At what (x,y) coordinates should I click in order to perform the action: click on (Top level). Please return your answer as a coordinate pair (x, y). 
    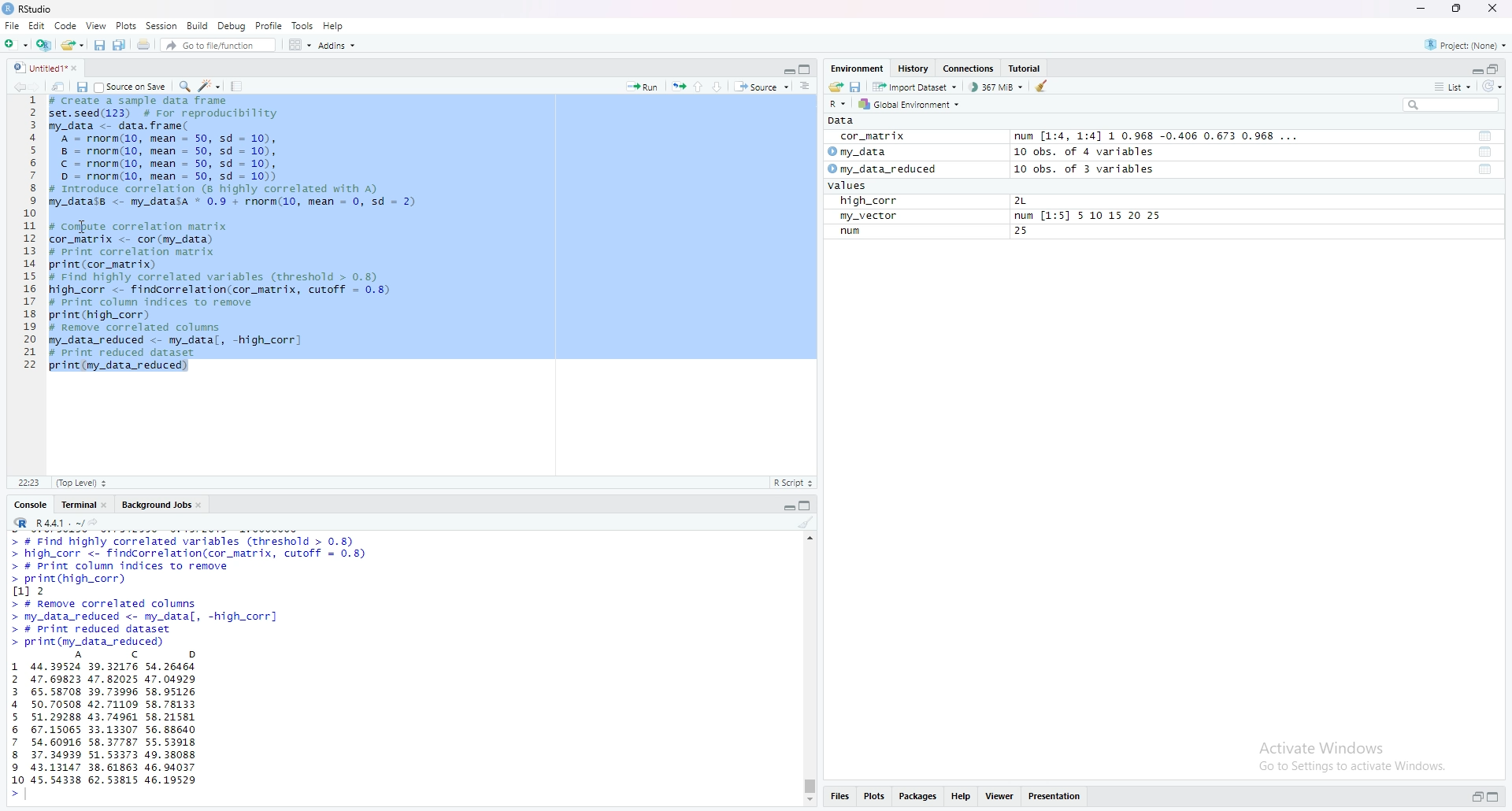
    Looking at the image, I should click on (84, 483).